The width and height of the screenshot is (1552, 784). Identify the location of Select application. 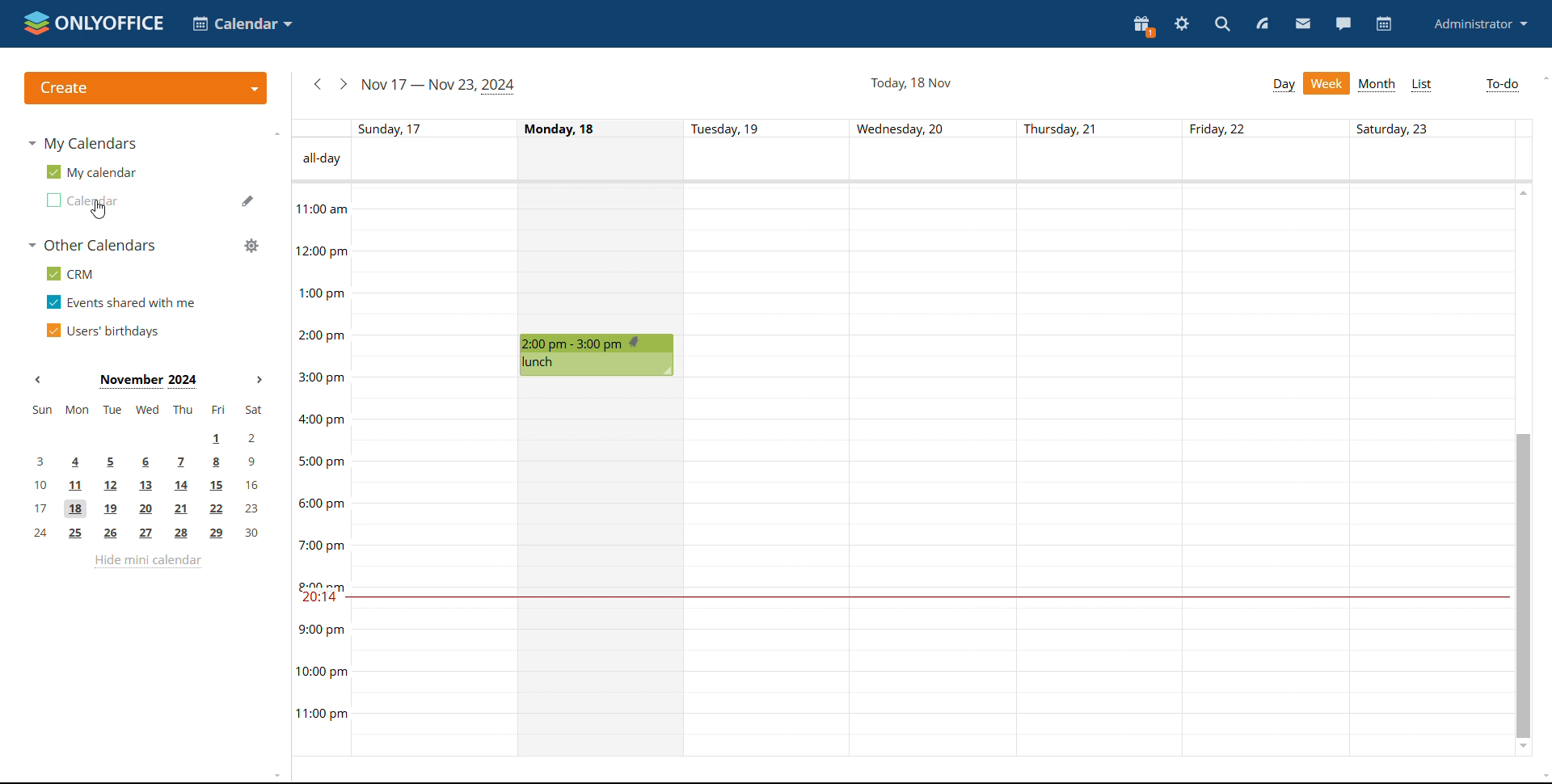
(242, 23).